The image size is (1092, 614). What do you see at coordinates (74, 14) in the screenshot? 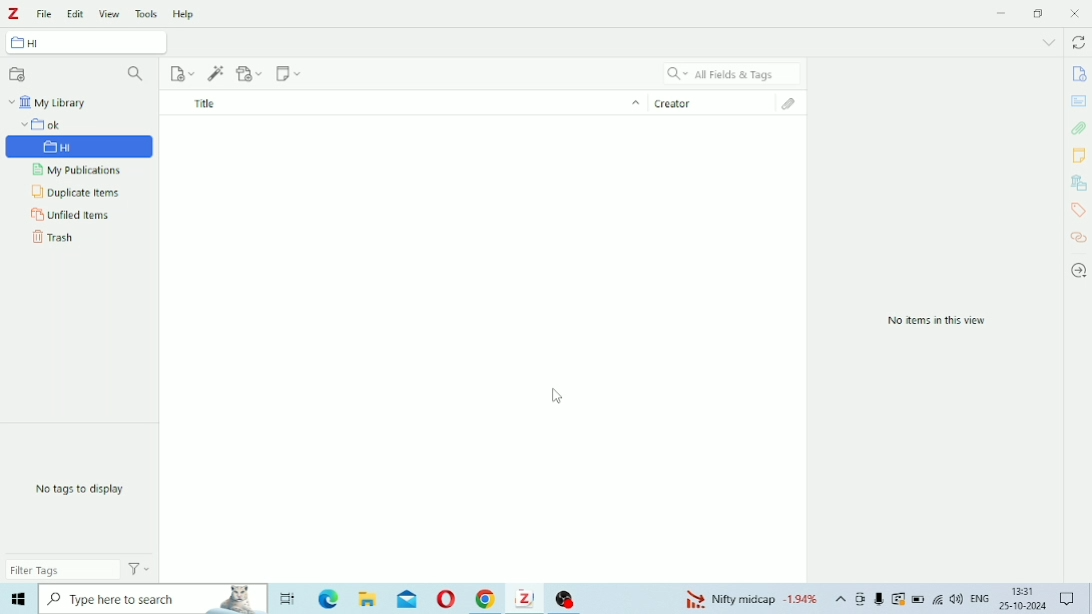
I see `Edit` at bounding box center [74, 14].